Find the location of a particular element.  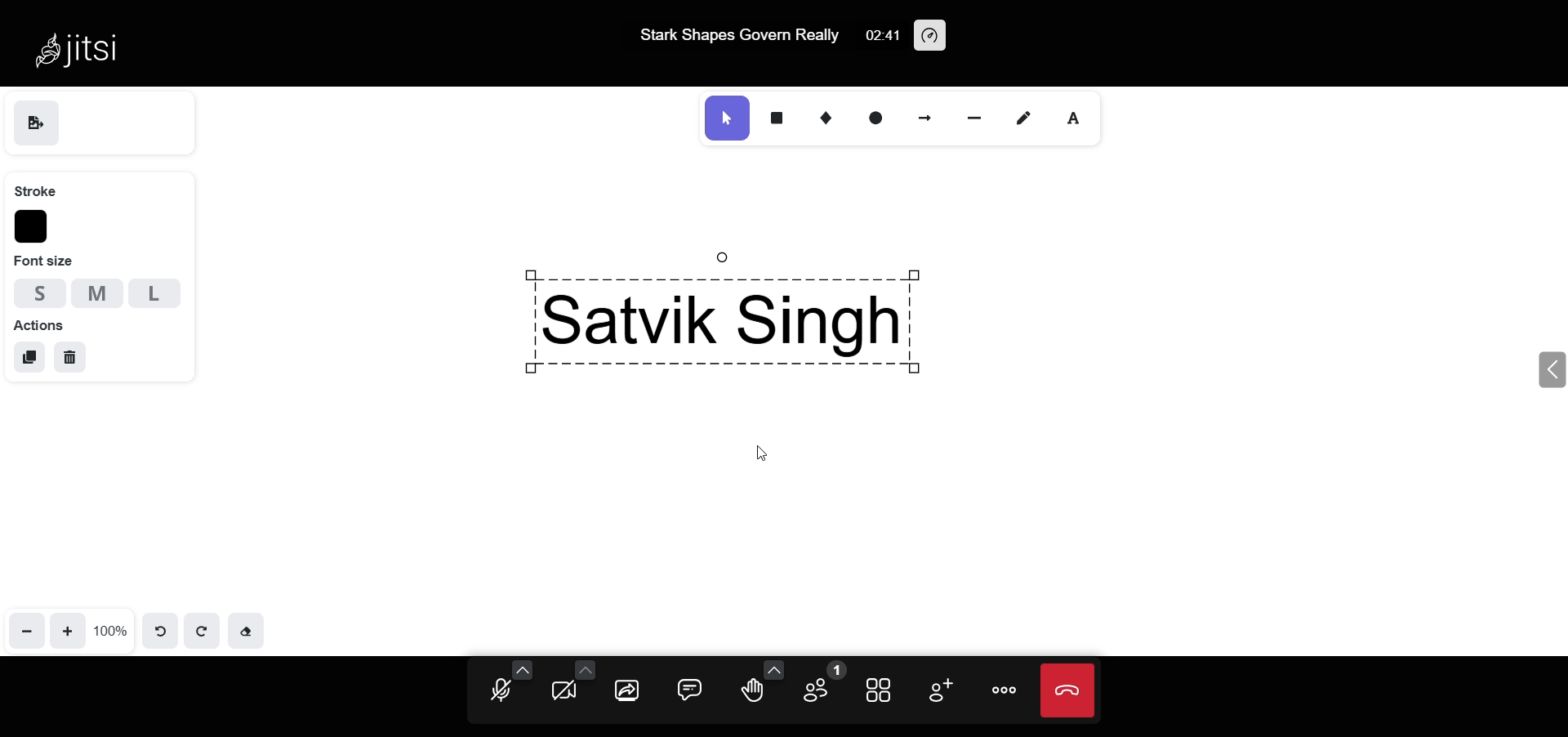

large is located at coordinates (155, 294).